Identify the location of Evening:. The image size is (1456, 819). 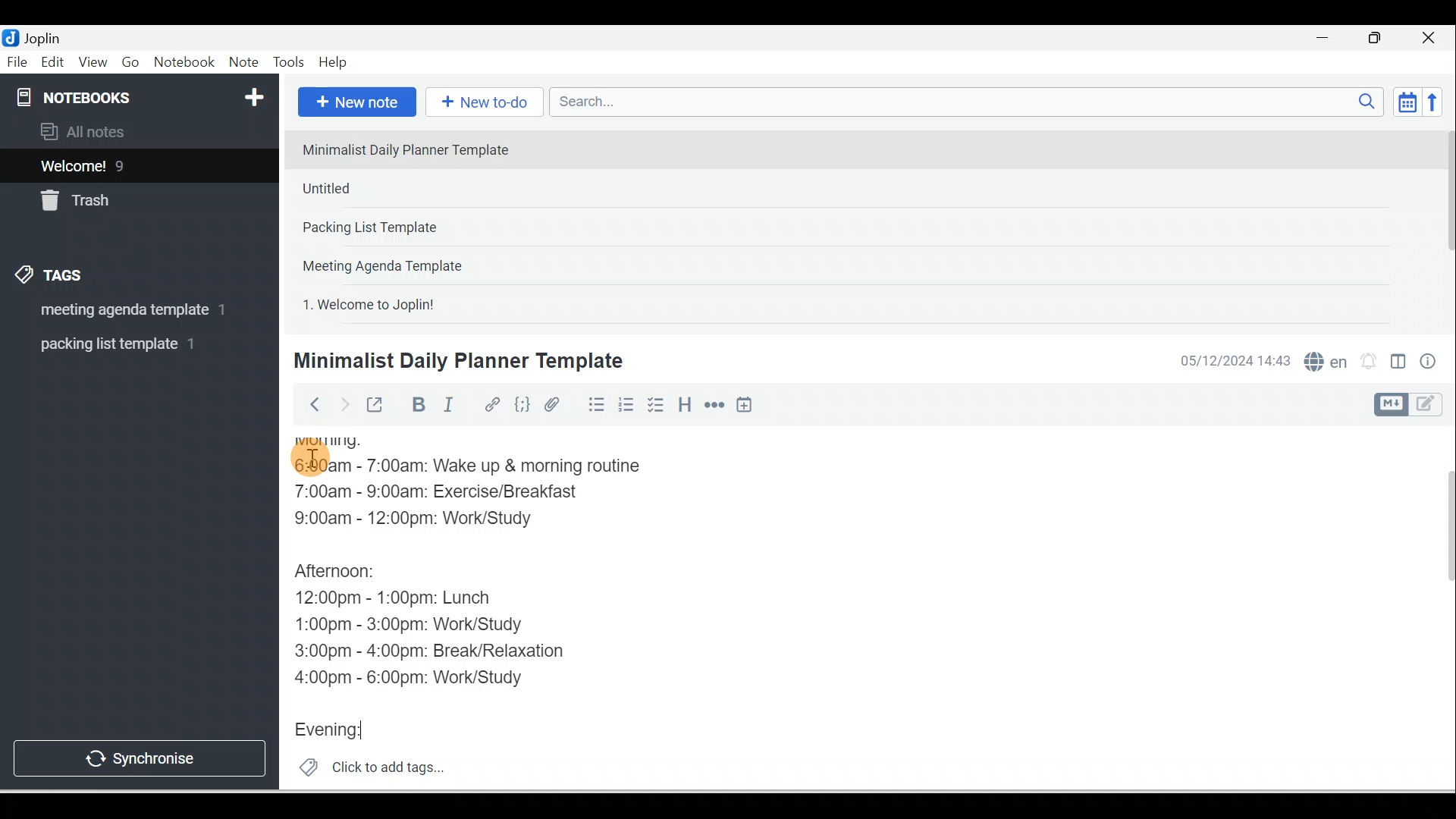
(337, 733).